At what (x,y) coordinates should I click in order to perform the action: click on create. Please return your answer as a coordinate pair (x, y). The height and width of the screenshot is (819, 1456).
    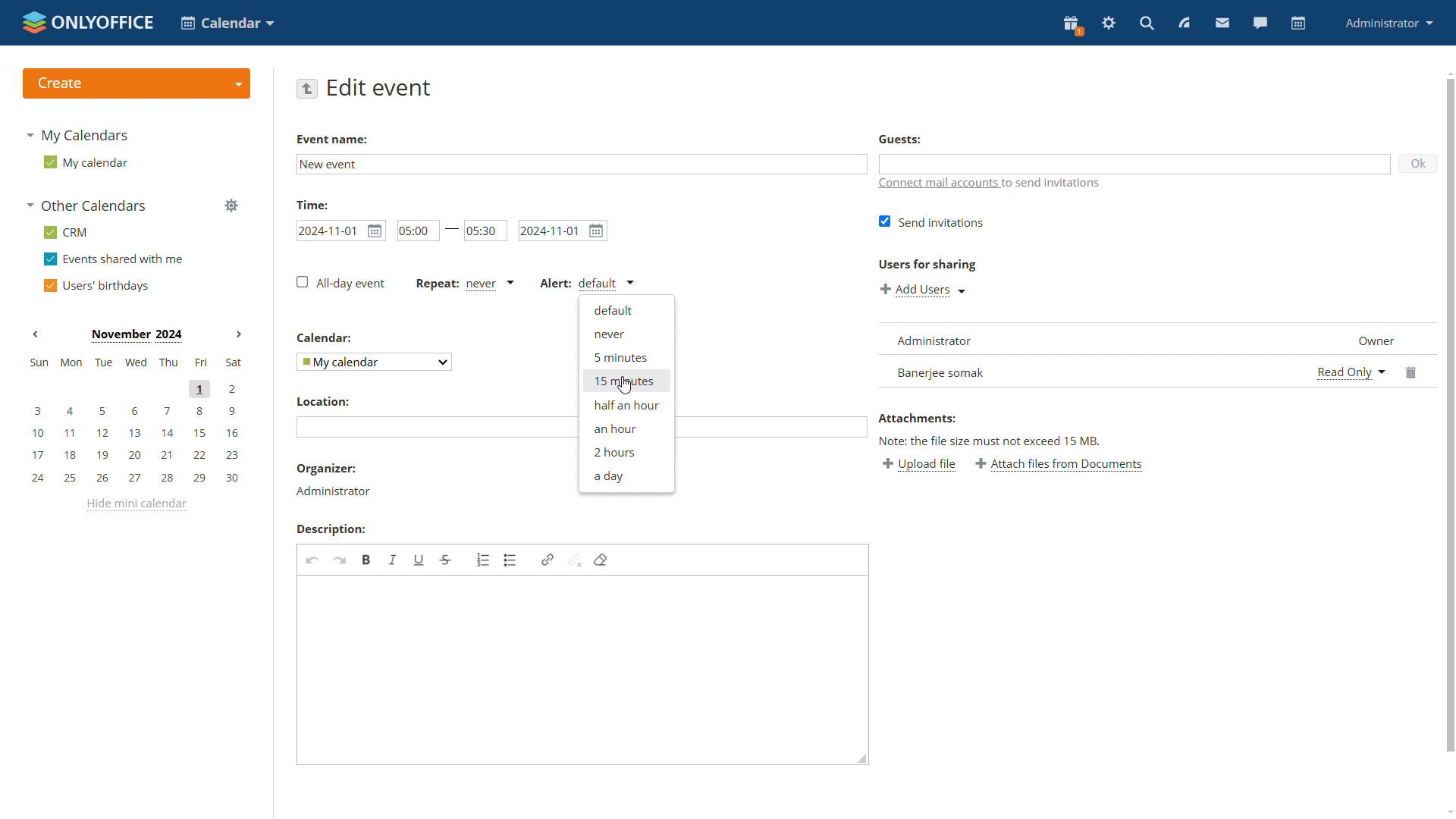
    Looking at the image, I should click on (136, 83).